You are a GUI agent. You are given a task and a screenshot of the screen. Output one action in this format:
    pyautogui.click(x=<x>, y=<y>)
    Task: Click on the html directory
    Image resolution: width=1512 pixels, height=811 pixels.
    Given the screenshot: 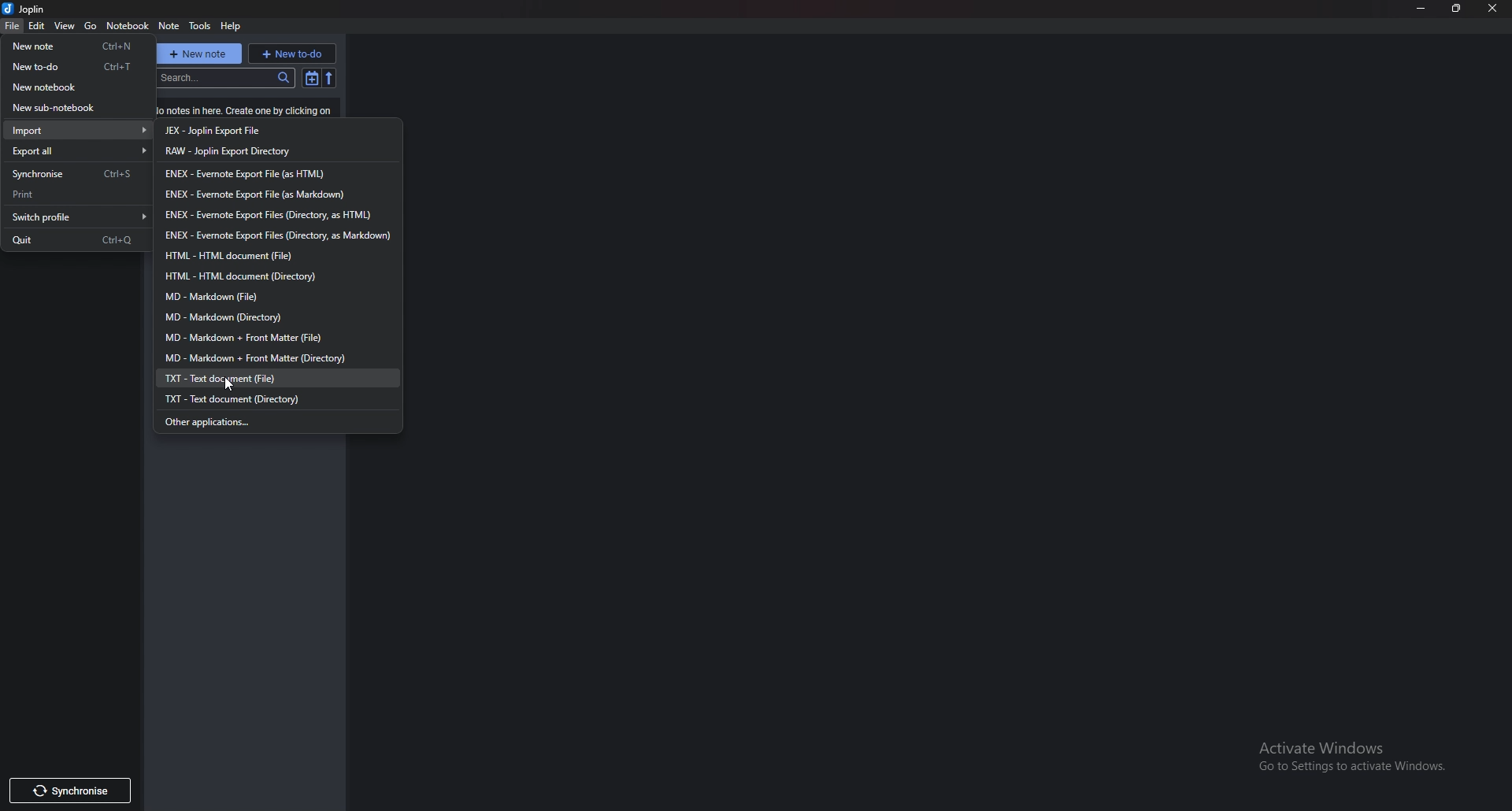 What is the action you would take?
    pyautogui.click(x=248, y=276)
    